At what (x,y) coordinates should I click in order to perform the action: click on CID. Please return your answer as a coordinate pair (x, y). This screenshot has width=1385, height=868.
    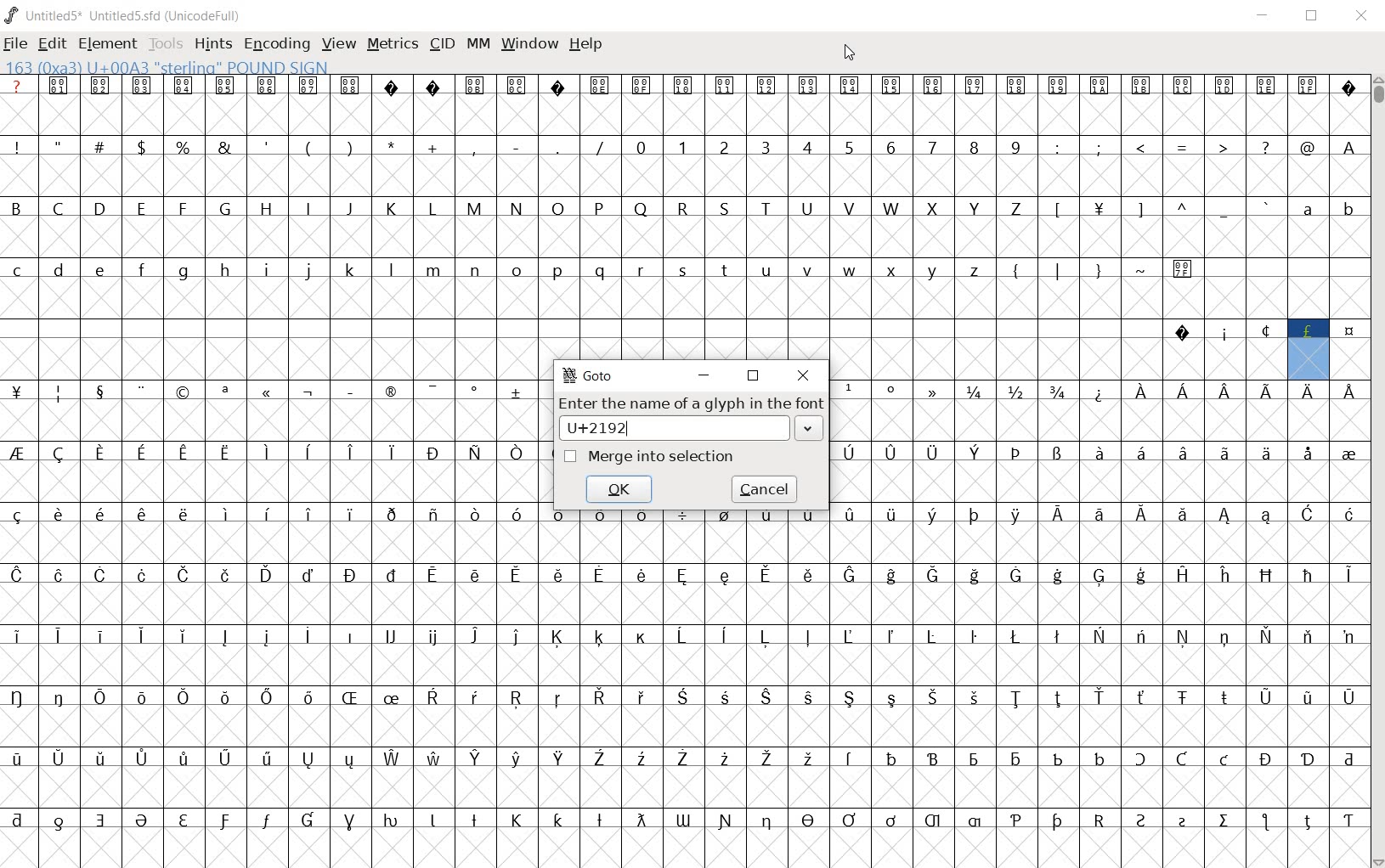
    Looking at the image, I should click on (442, 44).